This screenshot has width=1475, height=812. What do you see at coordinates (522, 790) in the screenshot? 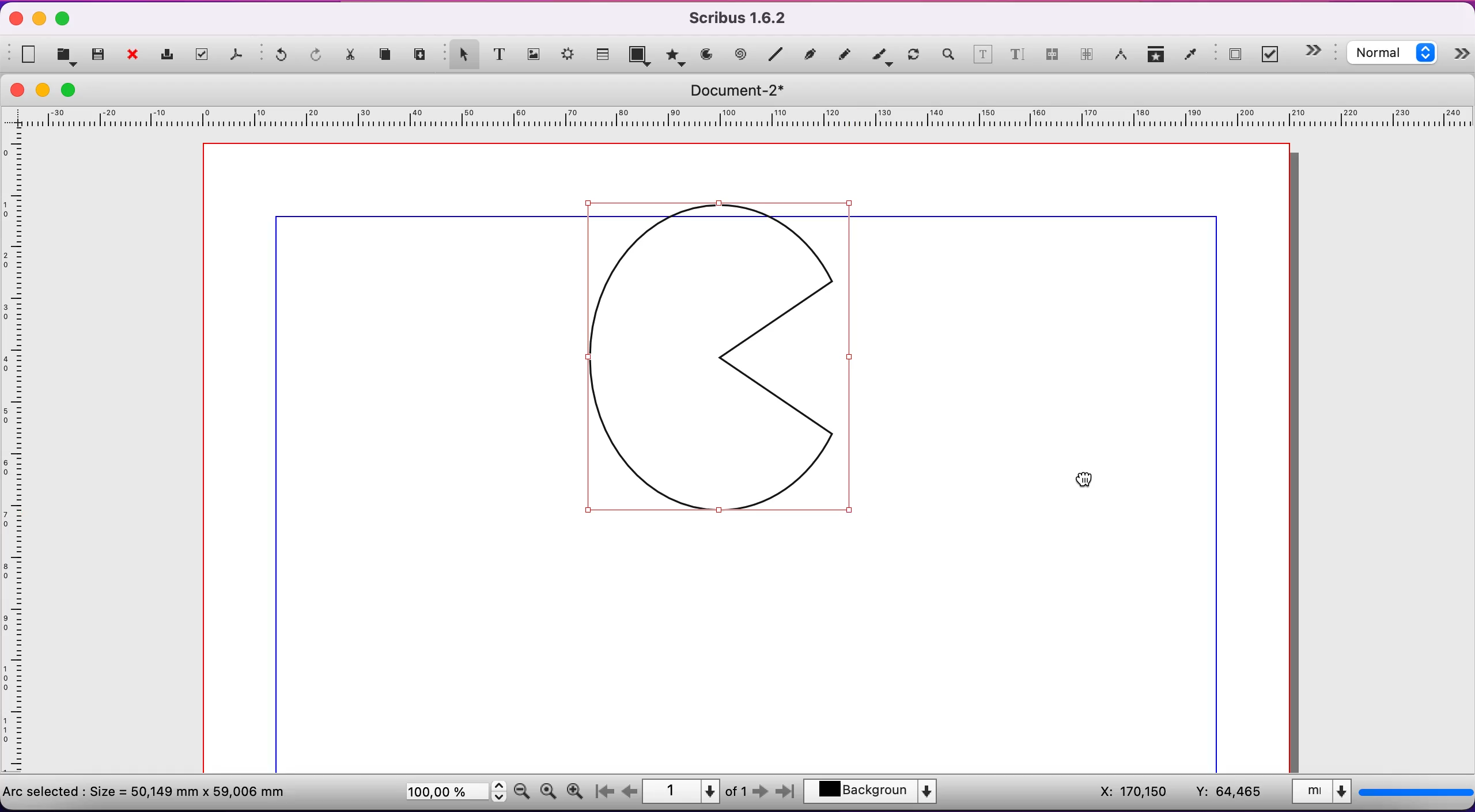
I see `zoom out` at bounding box center [522, 790].